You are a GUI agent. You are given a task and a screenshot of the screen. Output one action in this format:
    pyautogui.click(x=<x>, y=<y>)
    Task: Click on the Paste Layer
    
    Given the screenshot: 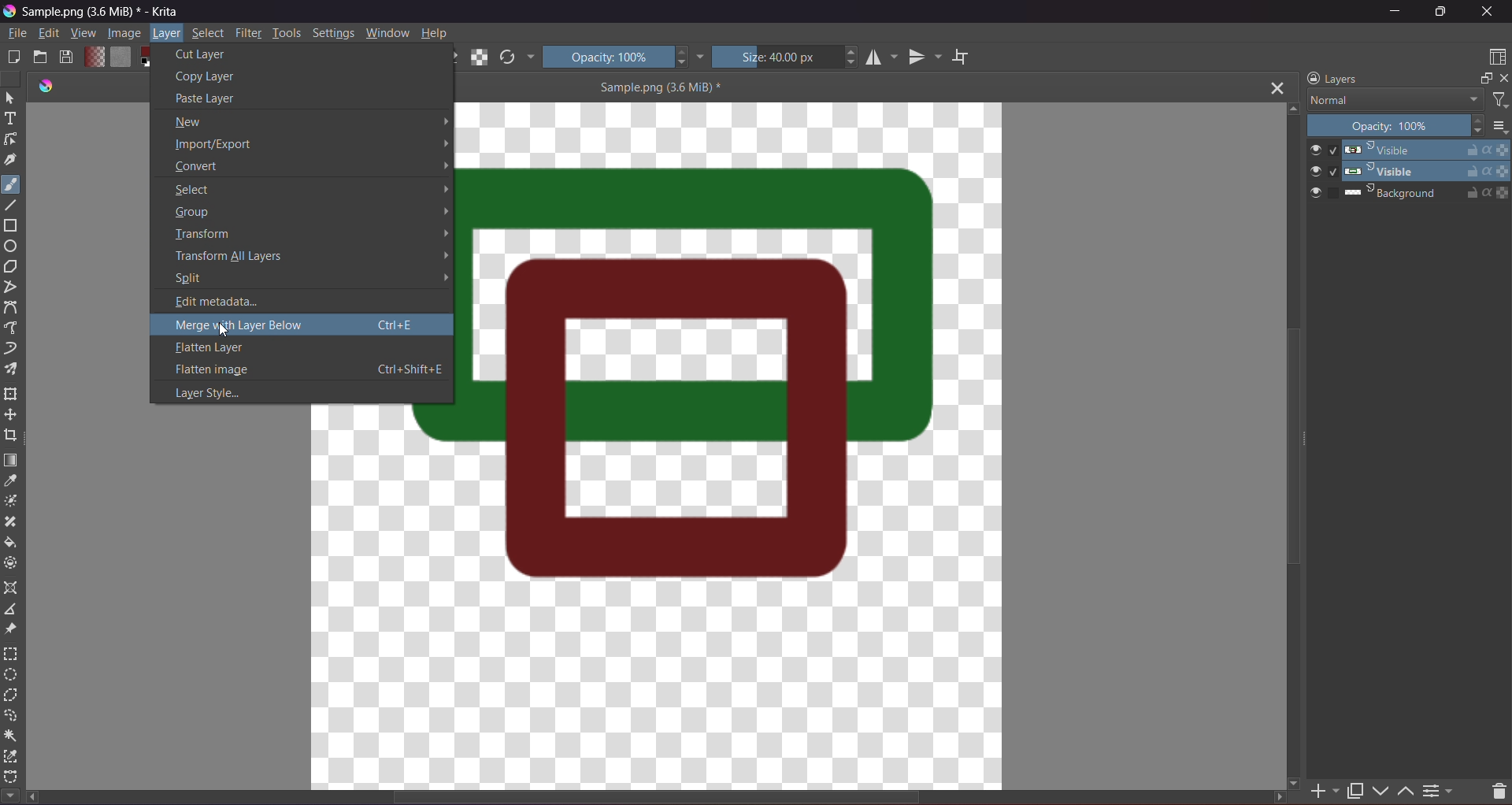 What is the action you would take?
    pyautogui.click(x=269, y=99)
    